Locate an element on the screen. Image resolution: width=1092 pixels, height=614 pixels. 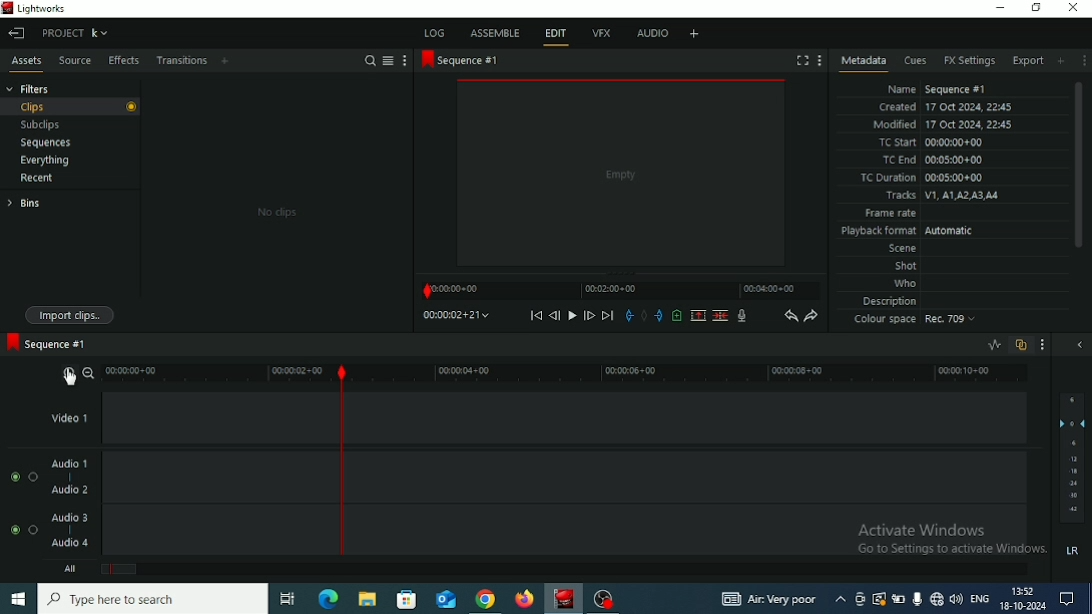
Charging, plugged in is located at coordinates (898, 599).